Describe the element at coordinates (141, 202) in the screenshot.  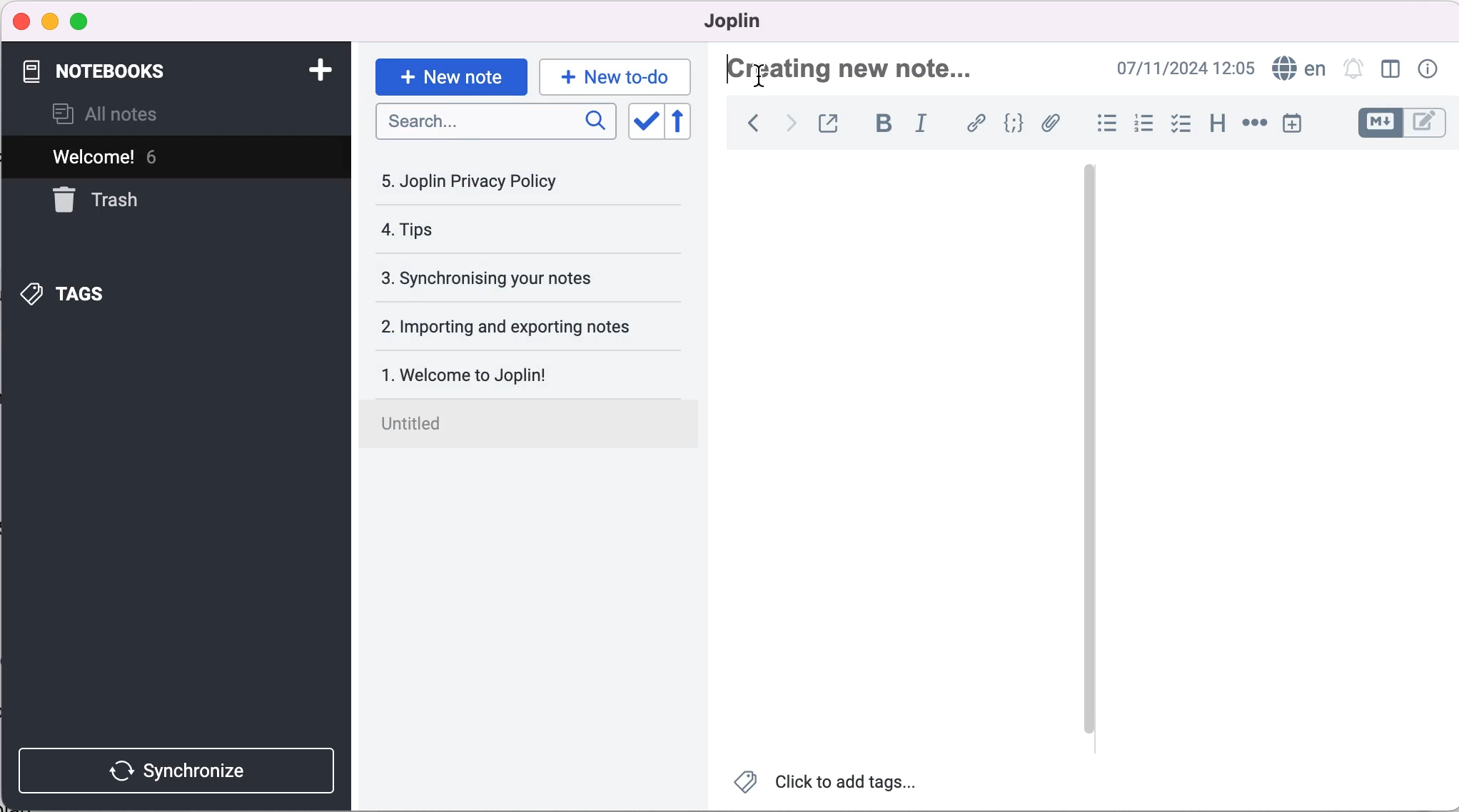
I see `trash` at that location.